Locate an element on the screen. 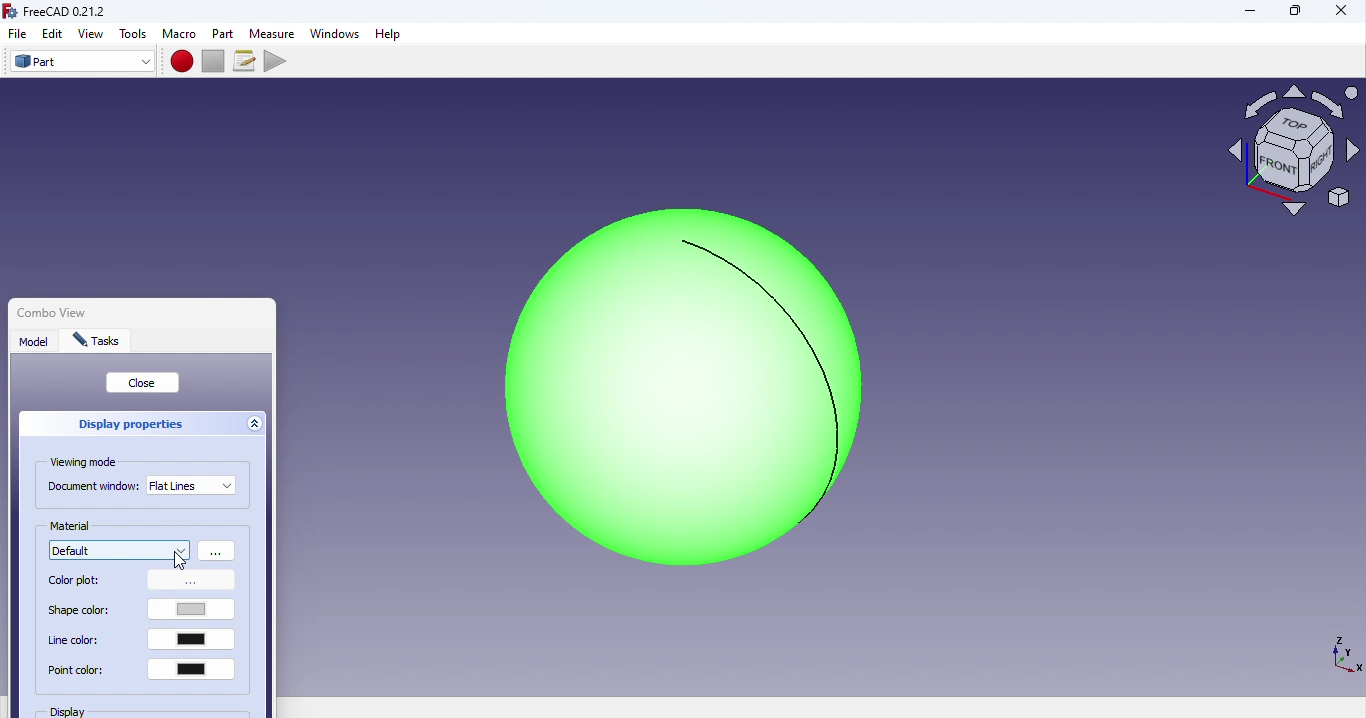 This screenshot has height=718, width=1366. Material is located at coordinates (73, 526).